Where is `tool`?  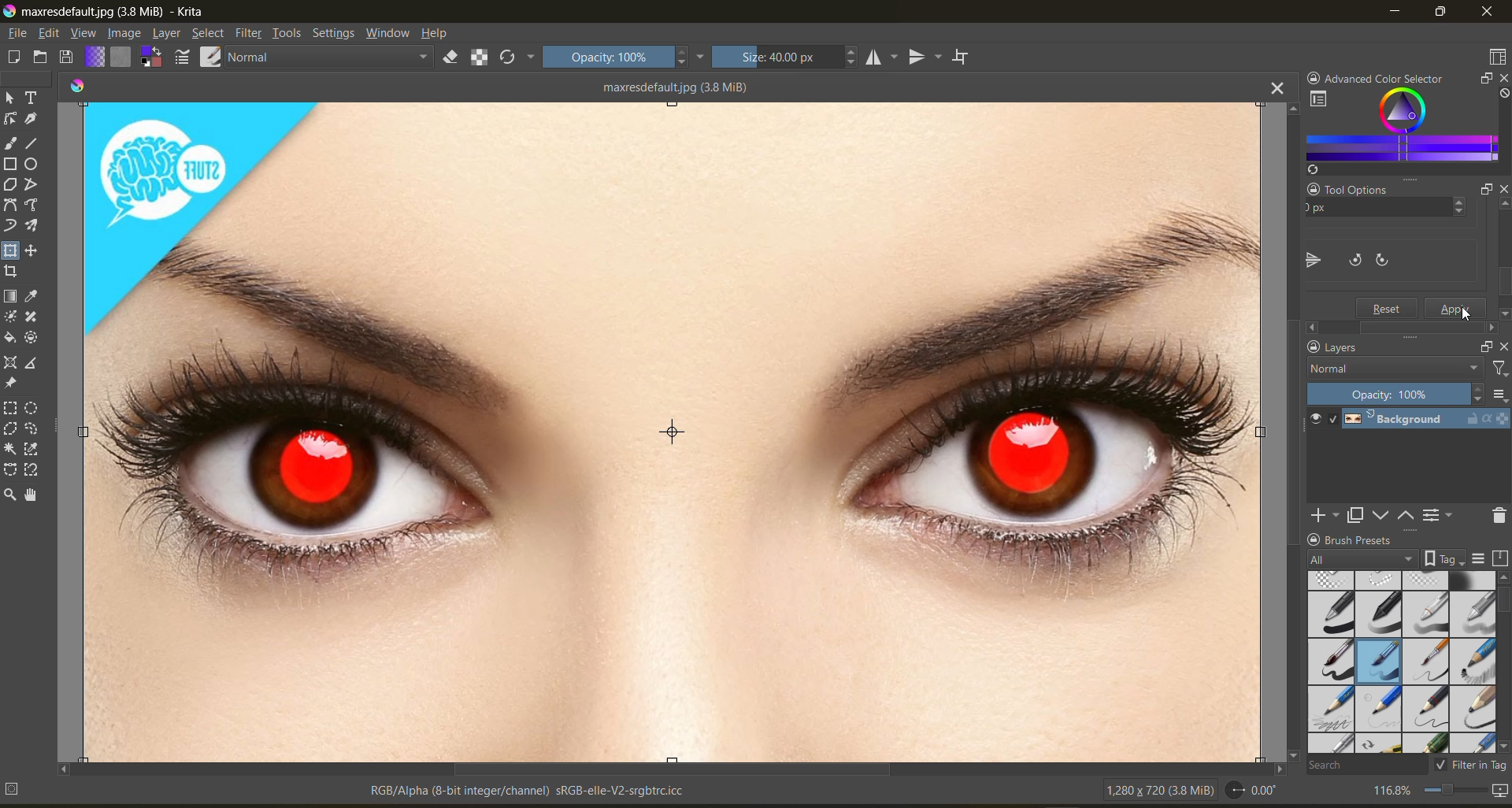 tool is located at coordinates (10, 447).